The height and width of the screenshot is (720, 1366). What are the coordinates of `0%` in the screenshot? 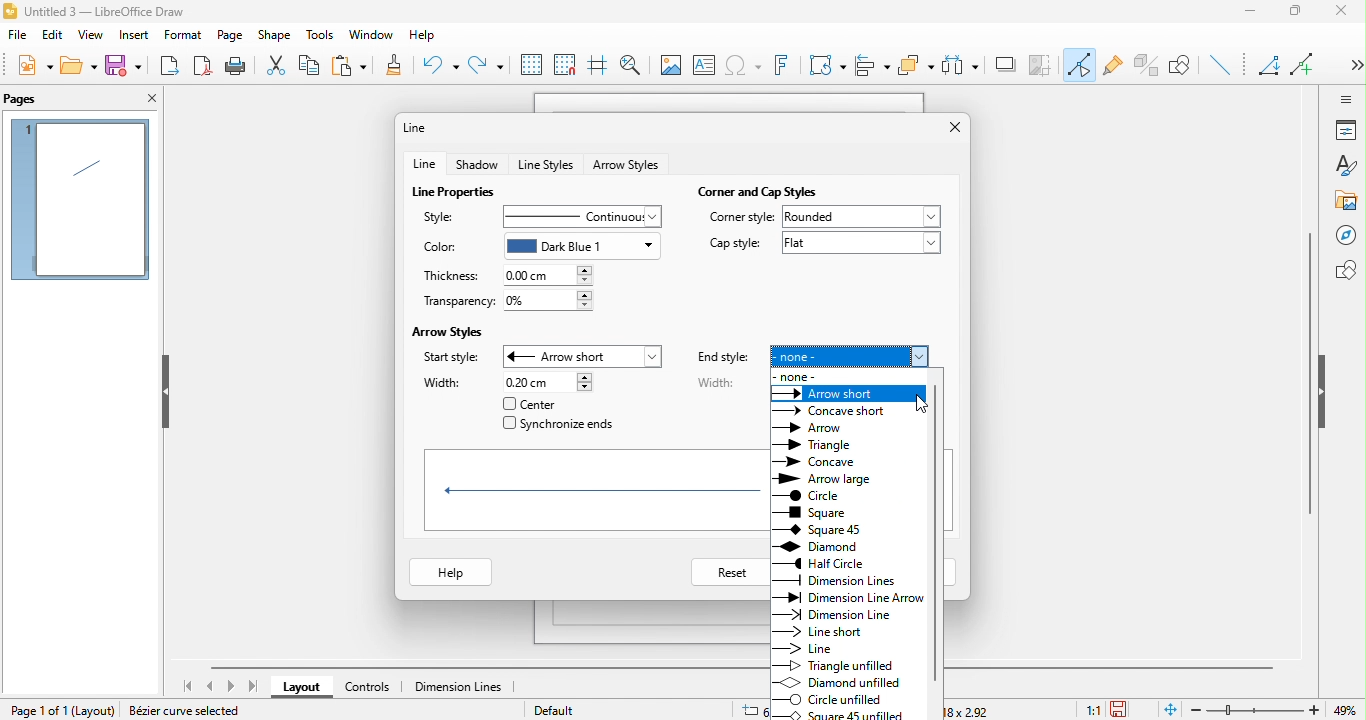 It's located at (550, 300).